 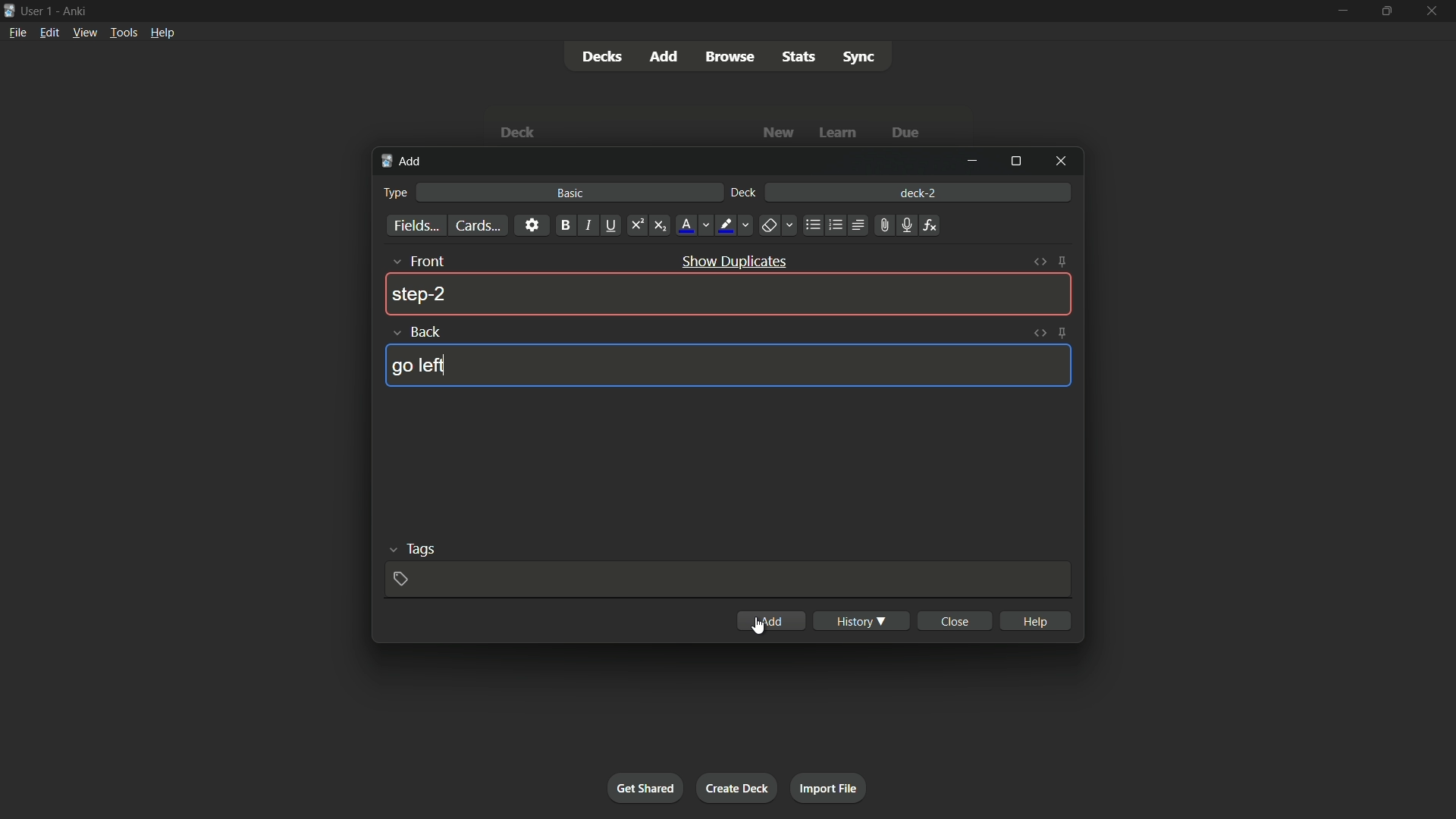 I want to click on show duplicates, so click(x=736, y=261).